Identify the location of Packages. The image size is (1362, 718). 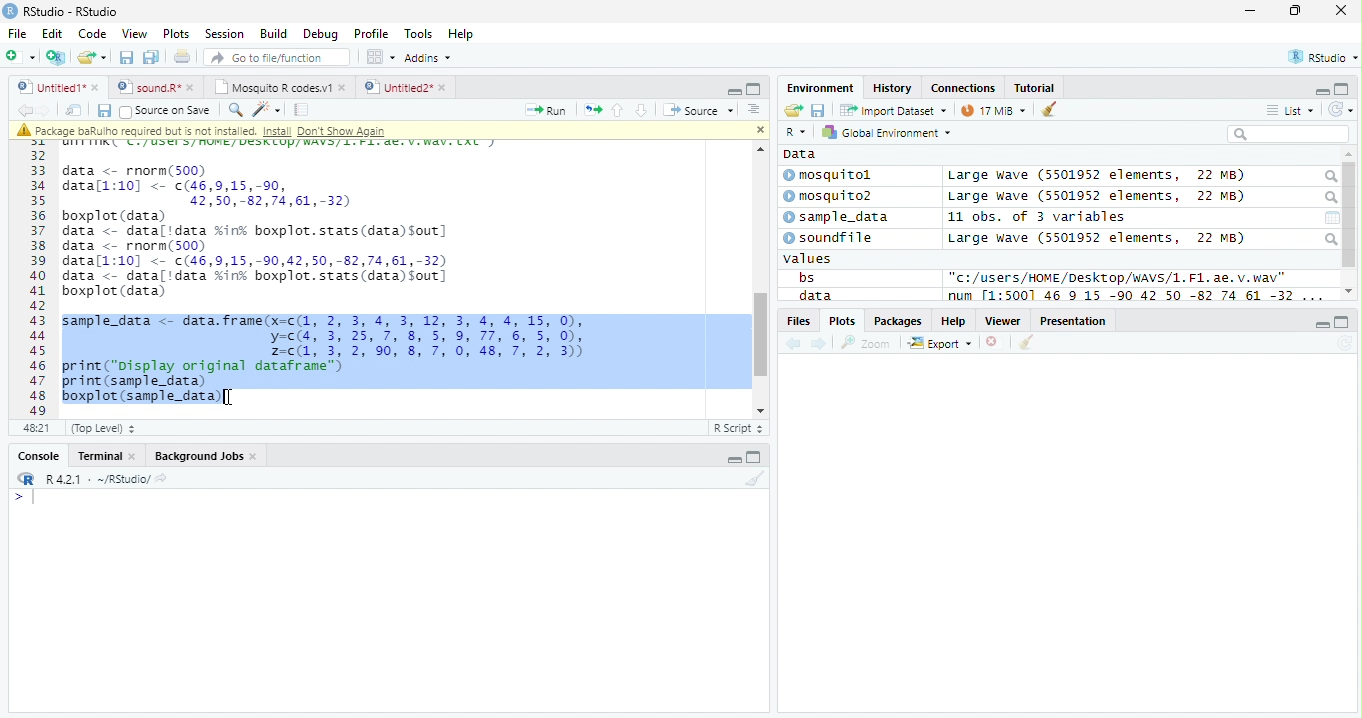
(899, 321).